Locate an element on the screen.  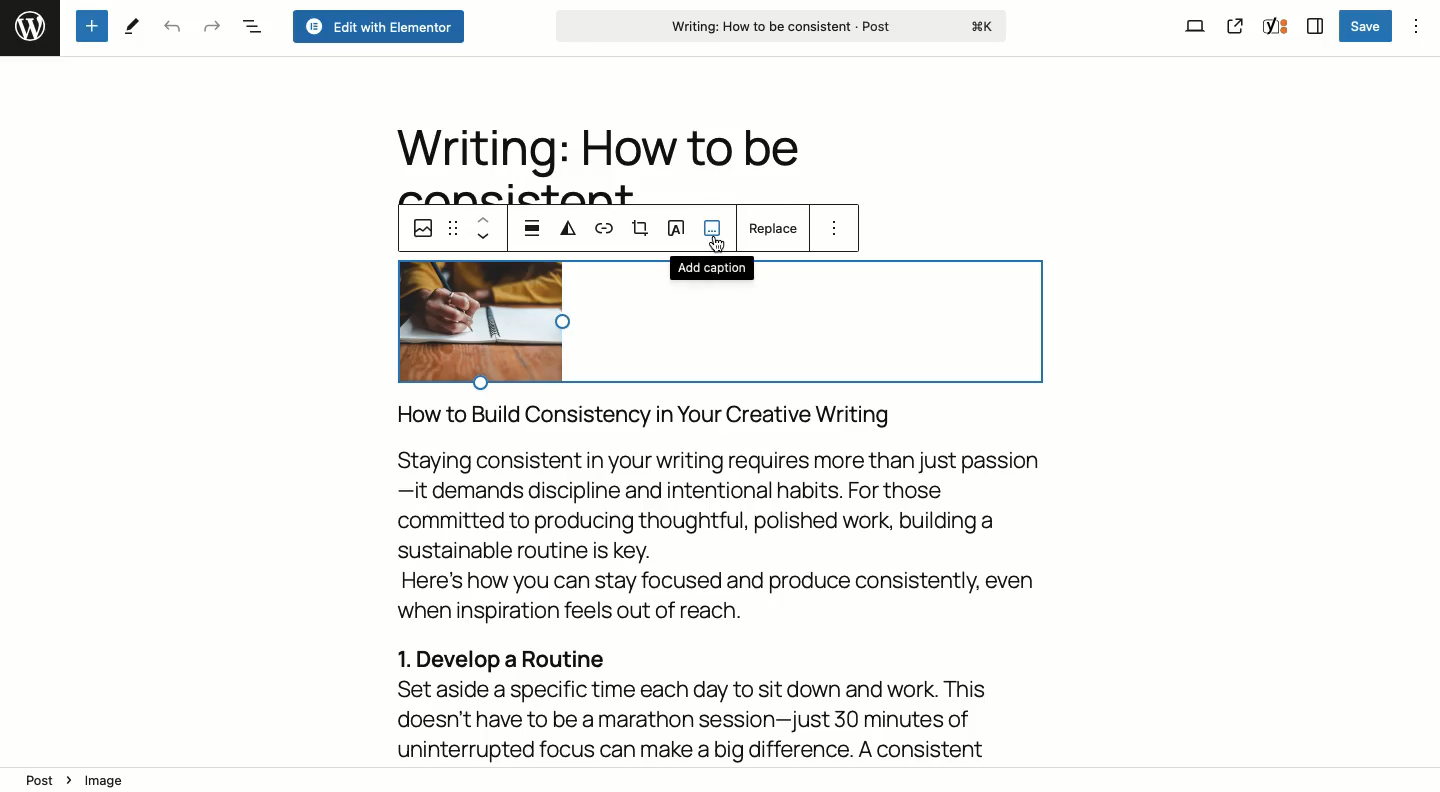
Save is located at coordinates (1367, 27).